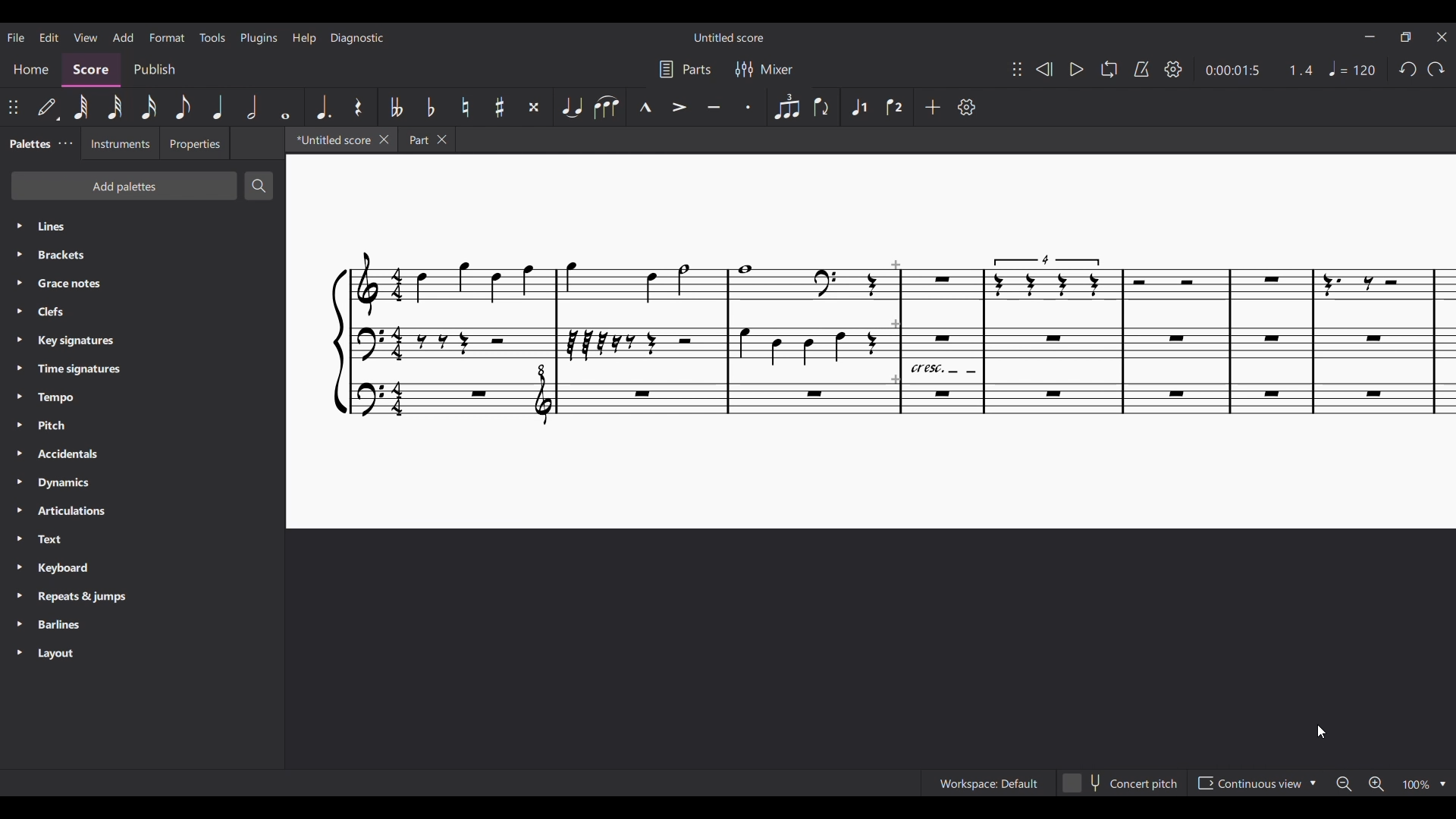 Image resolution: width=1456 pixels, height=819 pixels. Describe the element at coordinates (15, 37) in the screenshot. I see `File menu` at that location.